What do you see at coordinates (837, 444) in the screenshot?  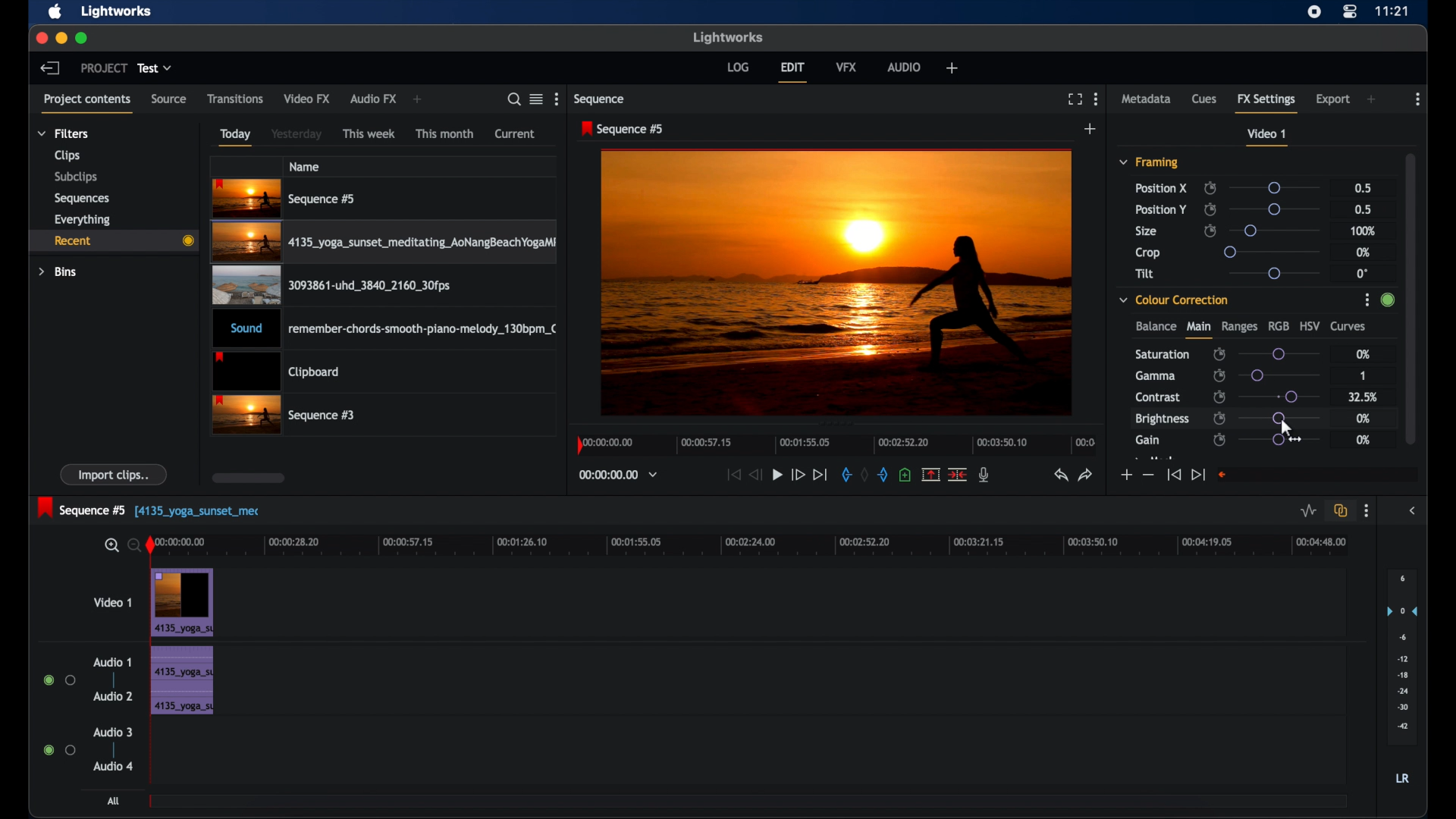 I see `timeline` at bounding box center [837, 444].